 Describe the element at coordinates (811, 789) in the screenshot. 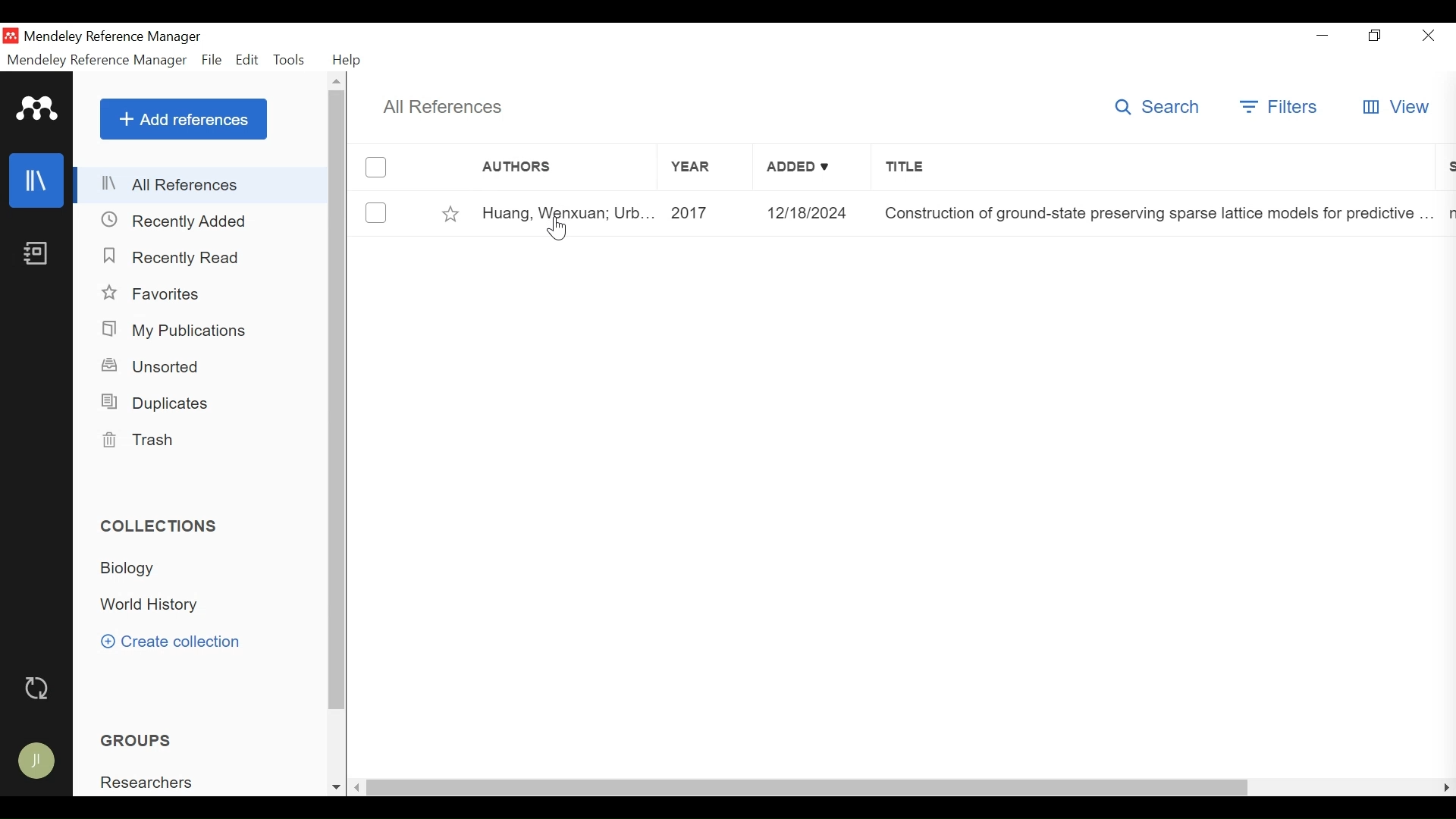

I see `Horizontal Scroll bar` at that location.